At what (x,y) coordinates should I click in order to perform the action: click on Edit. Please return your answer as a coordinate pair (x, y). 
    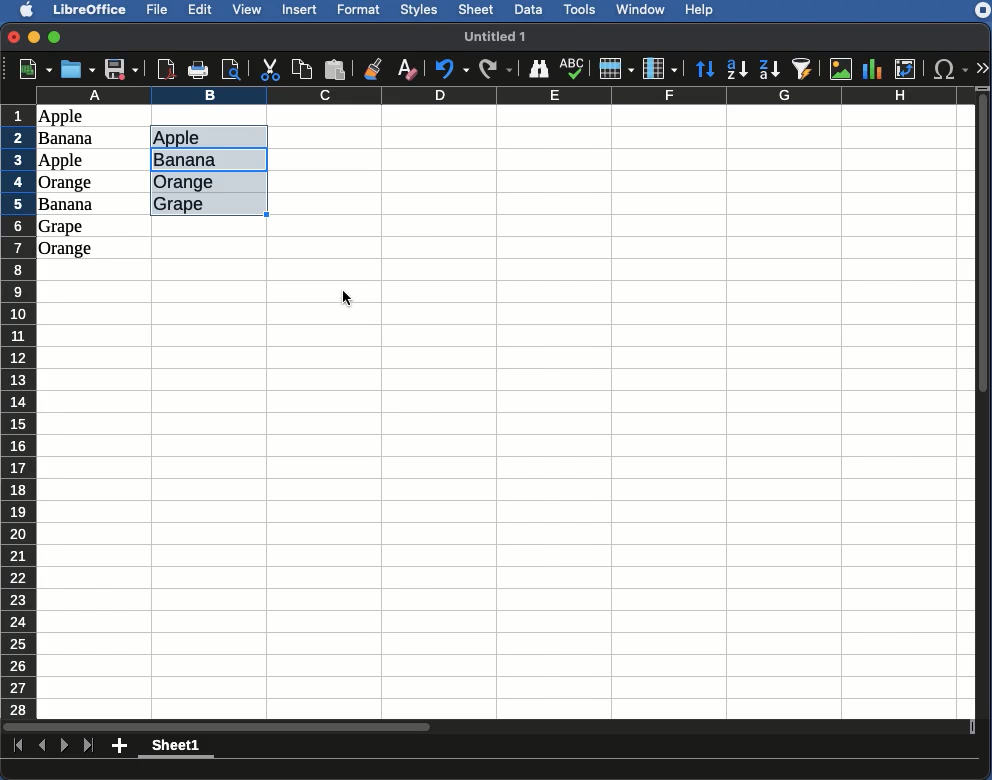
    Looking at the image, I should click on (201, 11).